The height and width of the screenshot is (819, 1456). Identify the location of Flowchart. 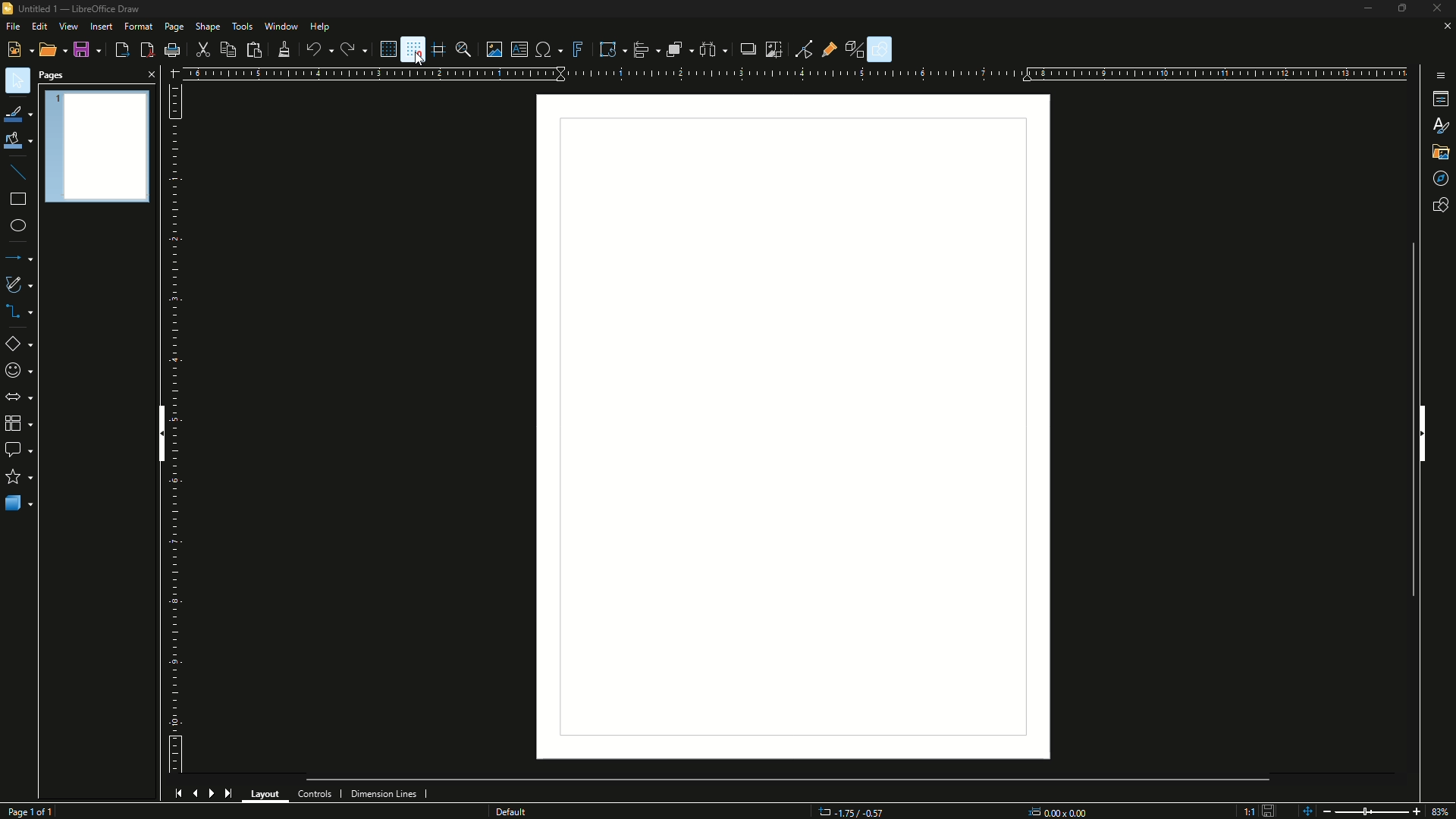
(24, 425).